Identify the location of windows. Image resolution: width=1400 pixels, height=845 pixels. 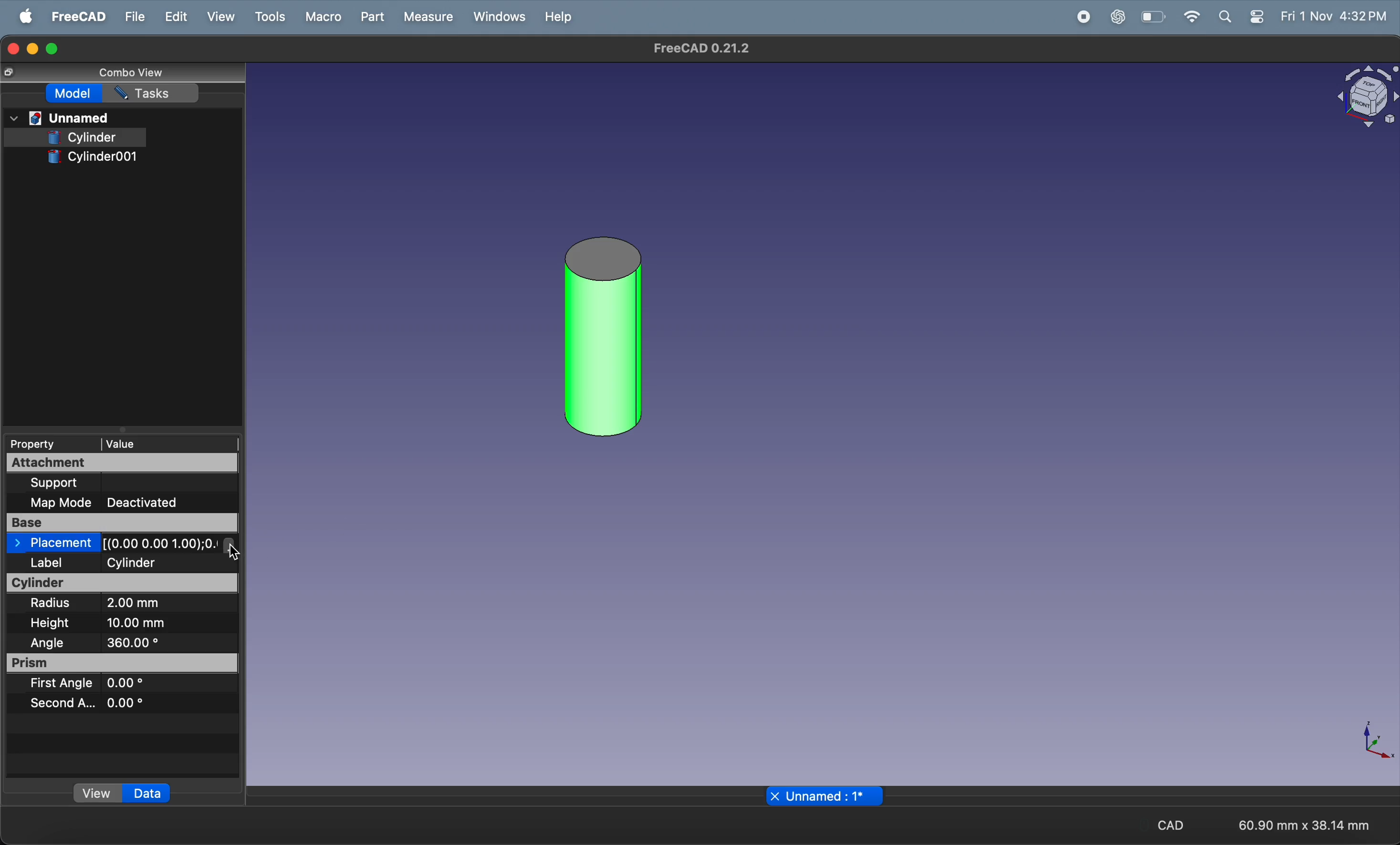
(495, 18).